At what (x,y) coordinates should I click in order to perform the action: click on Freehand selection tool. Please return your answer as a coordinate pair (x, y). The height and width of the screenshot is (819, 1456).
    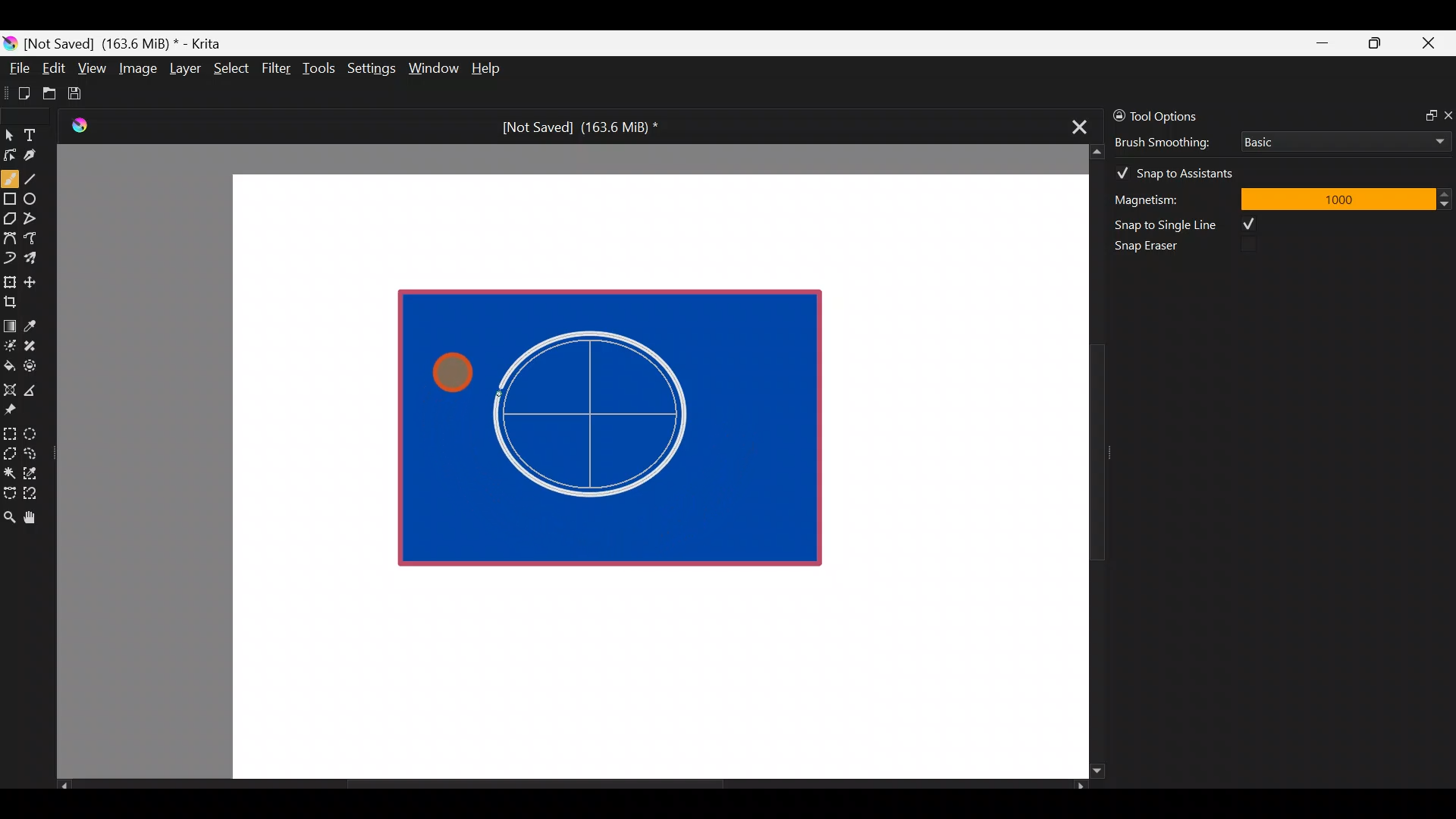
    Looking at the image, I should click on (33, 452).